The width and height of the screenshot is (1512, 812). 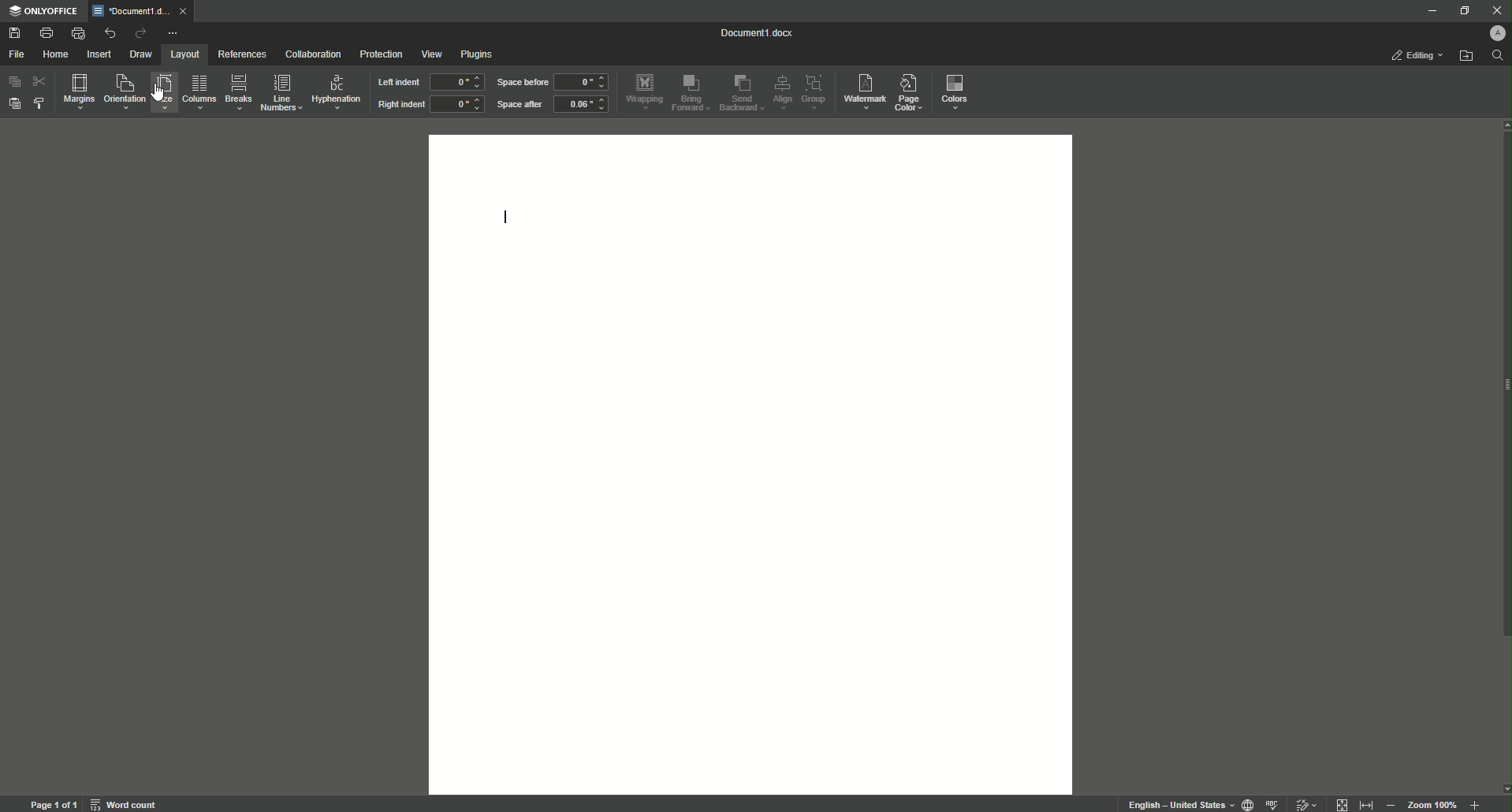 What do you see at coordinates (1502, 126) in the screenshot?
I see `Up` at bounding box center [1502, 126].